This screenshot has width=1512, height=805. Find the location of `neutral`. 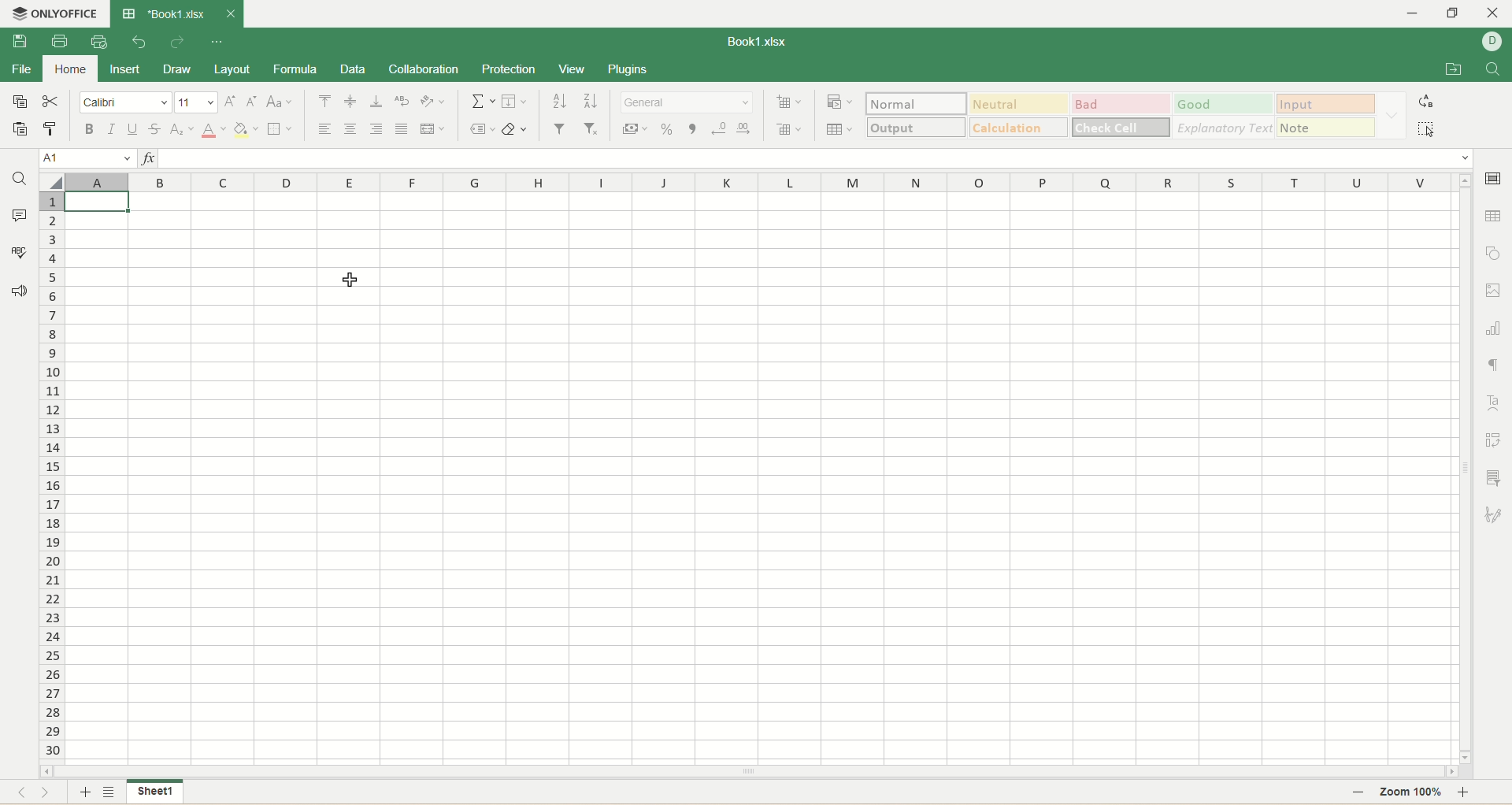

neutral is located at coordinates (1020, 105).